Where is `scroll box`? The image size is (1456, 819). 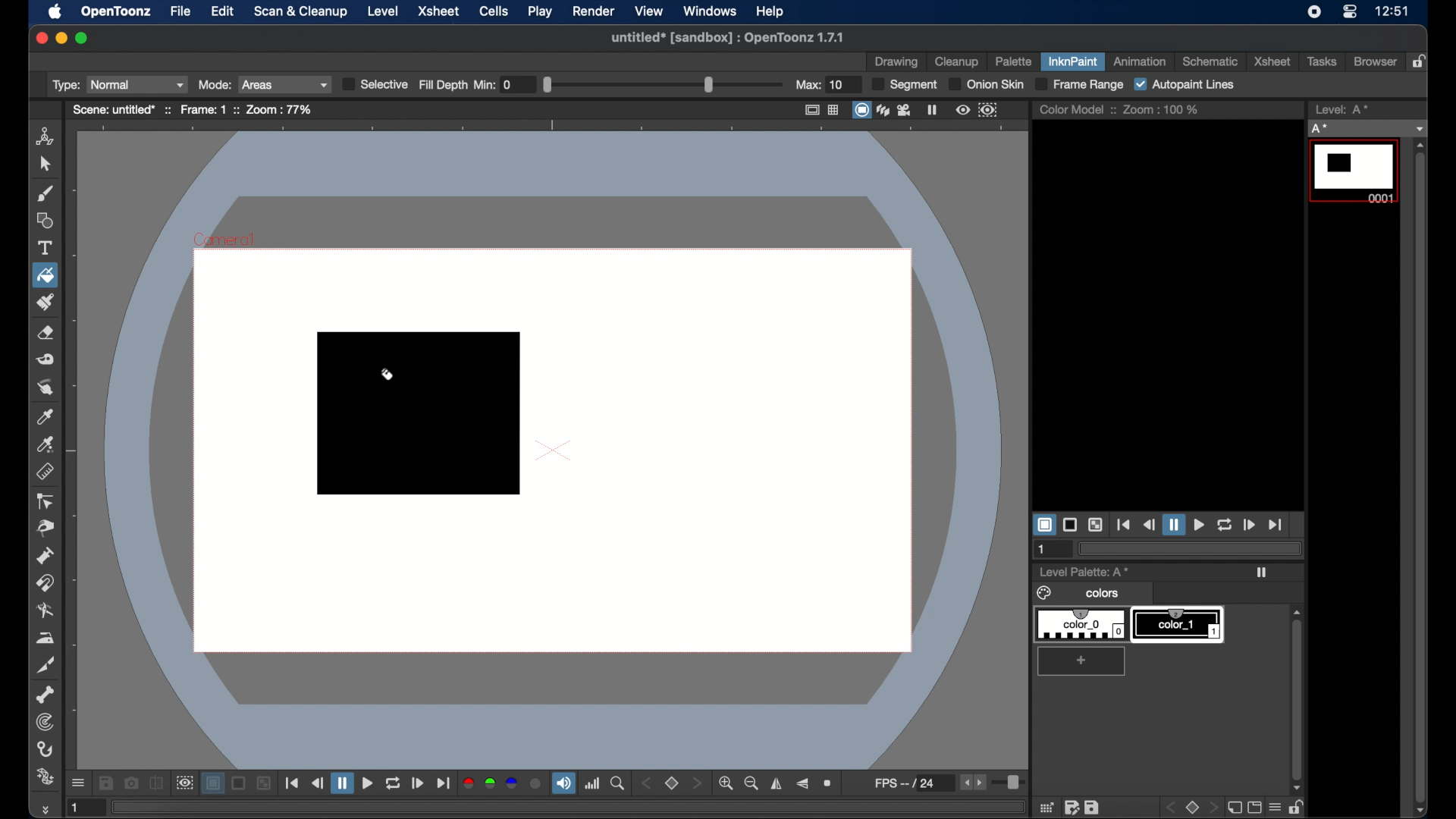
scroll box is located at coordinates (1296, 689).